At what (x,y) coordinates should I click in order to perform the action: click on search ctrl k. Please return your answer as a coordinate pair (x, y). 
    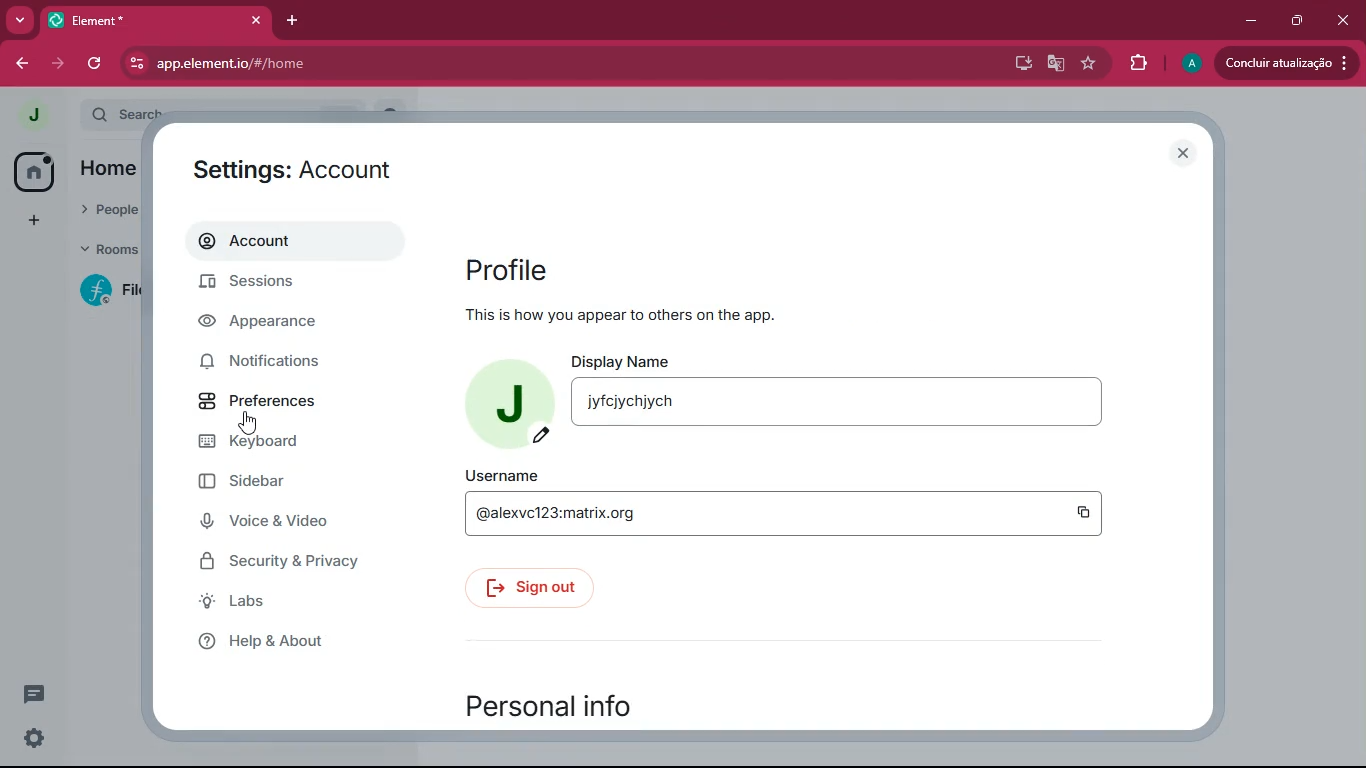
    Looking at the image, I should click on (233, 112).